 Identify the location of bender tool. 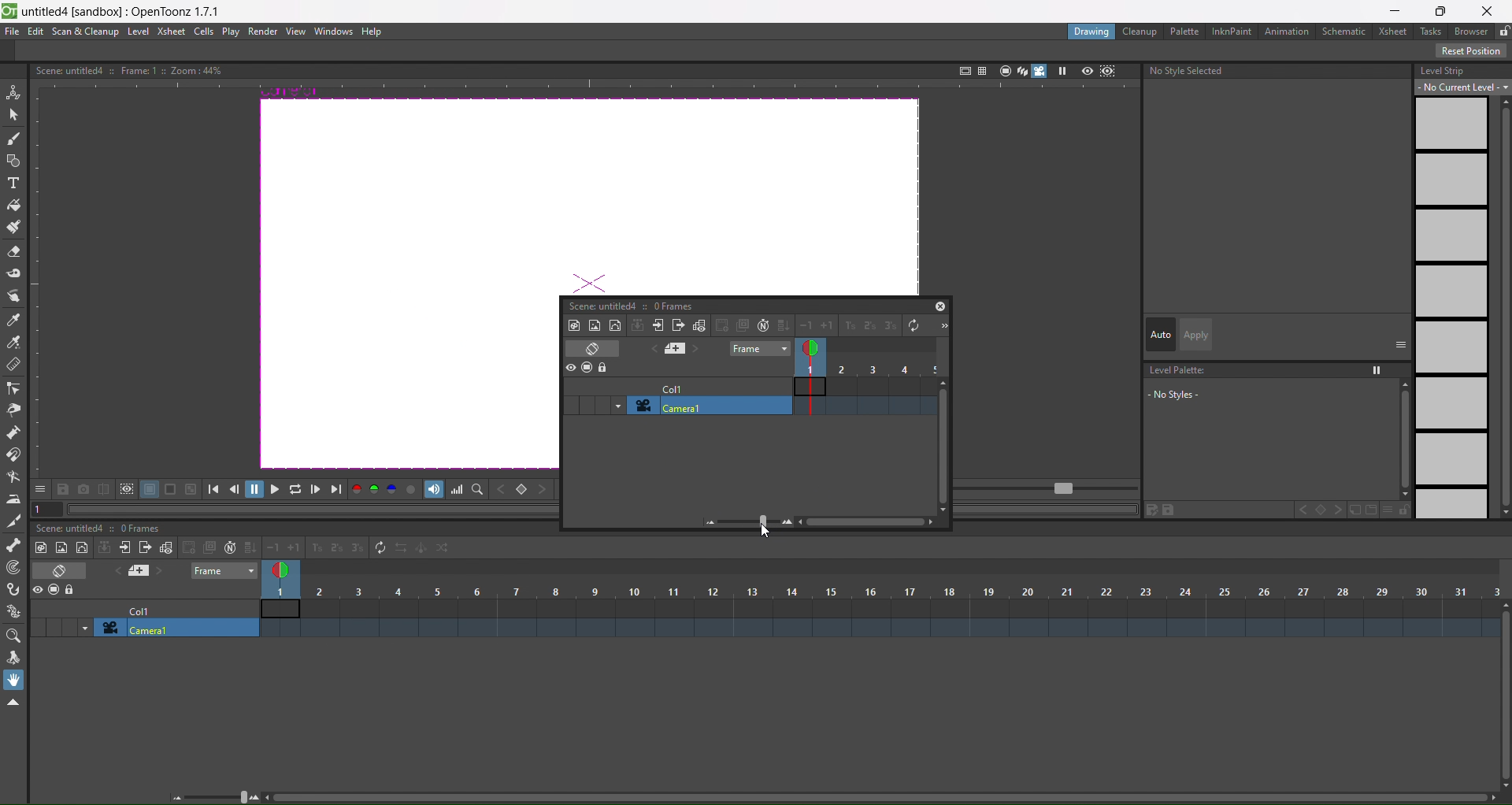
(14, 477).